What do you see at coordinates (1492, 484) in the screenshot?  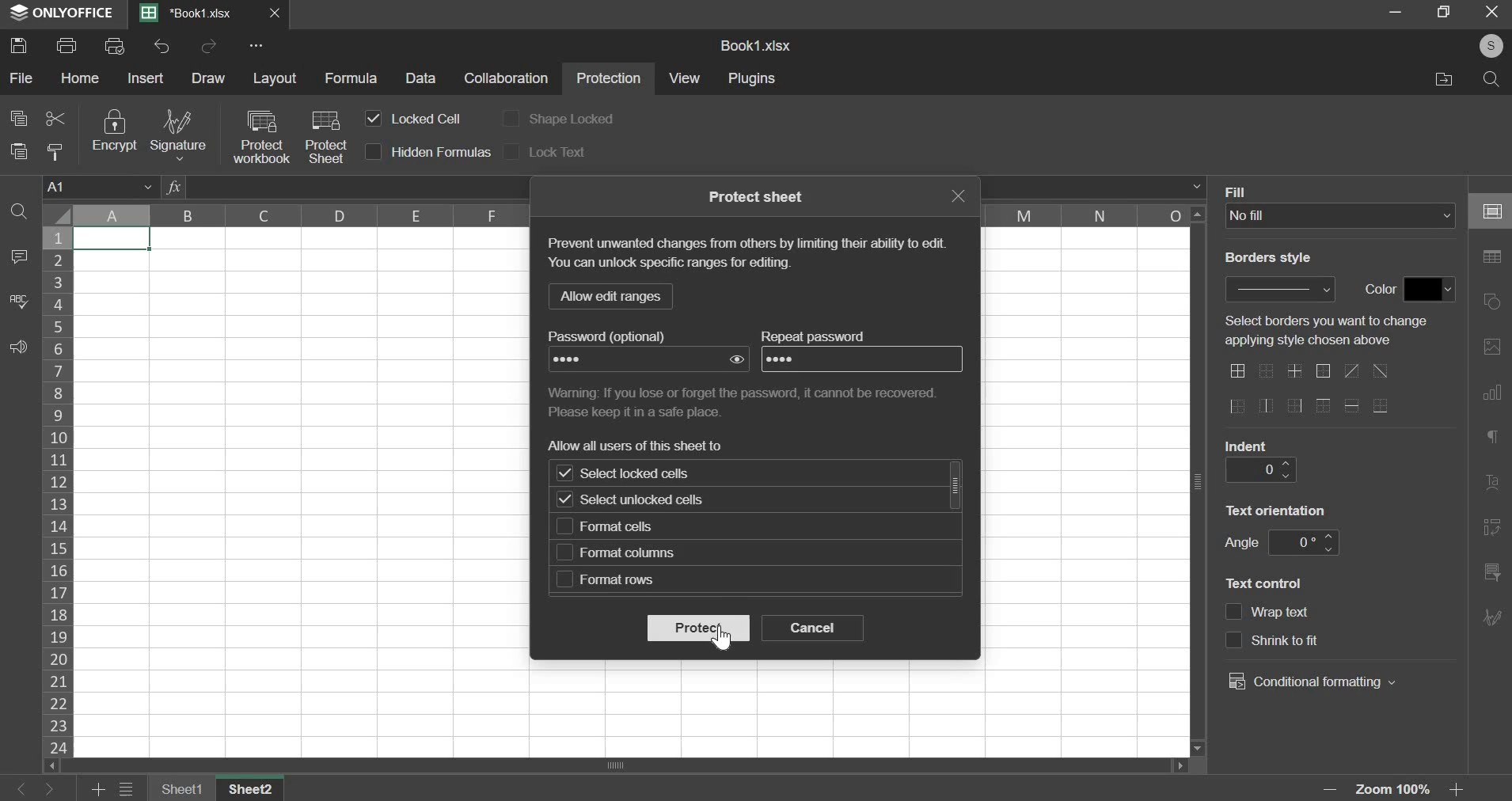 I see `right side bar` at bounding box center [1492, 484].